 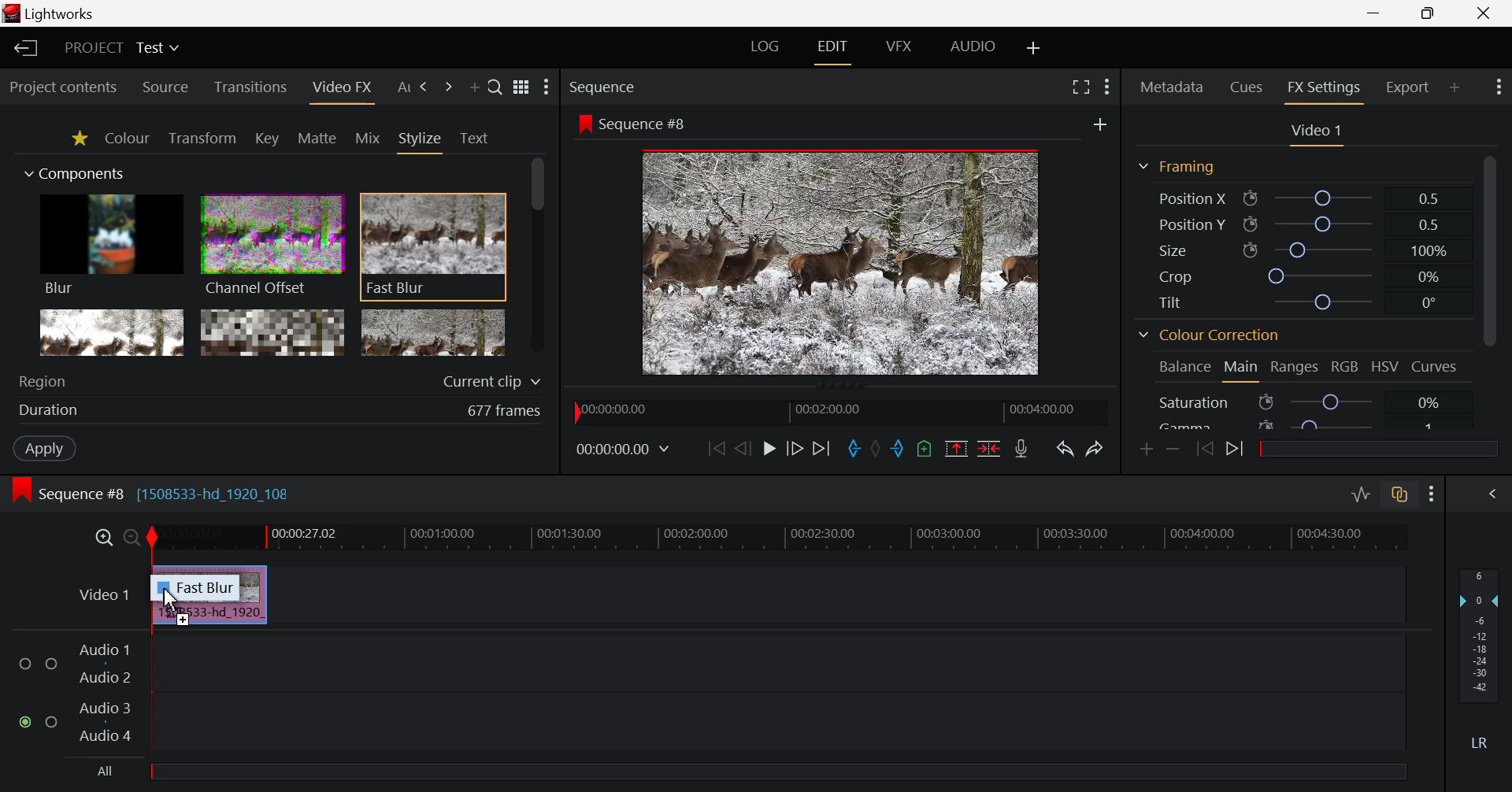 What do you see at coordinates (46, 446) in the screenshot?
I see `Apply` at bounding box center [46, 446].